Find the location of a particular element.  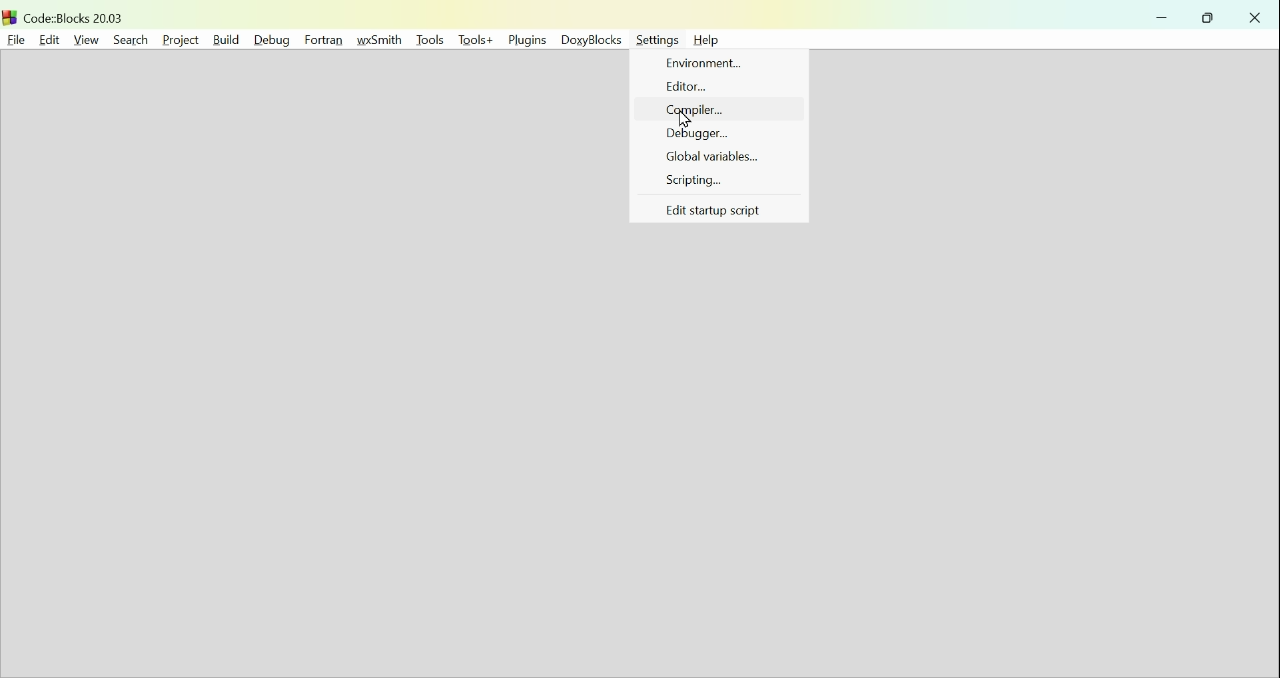

Doxyblocks is located at coordinates (592, 42).